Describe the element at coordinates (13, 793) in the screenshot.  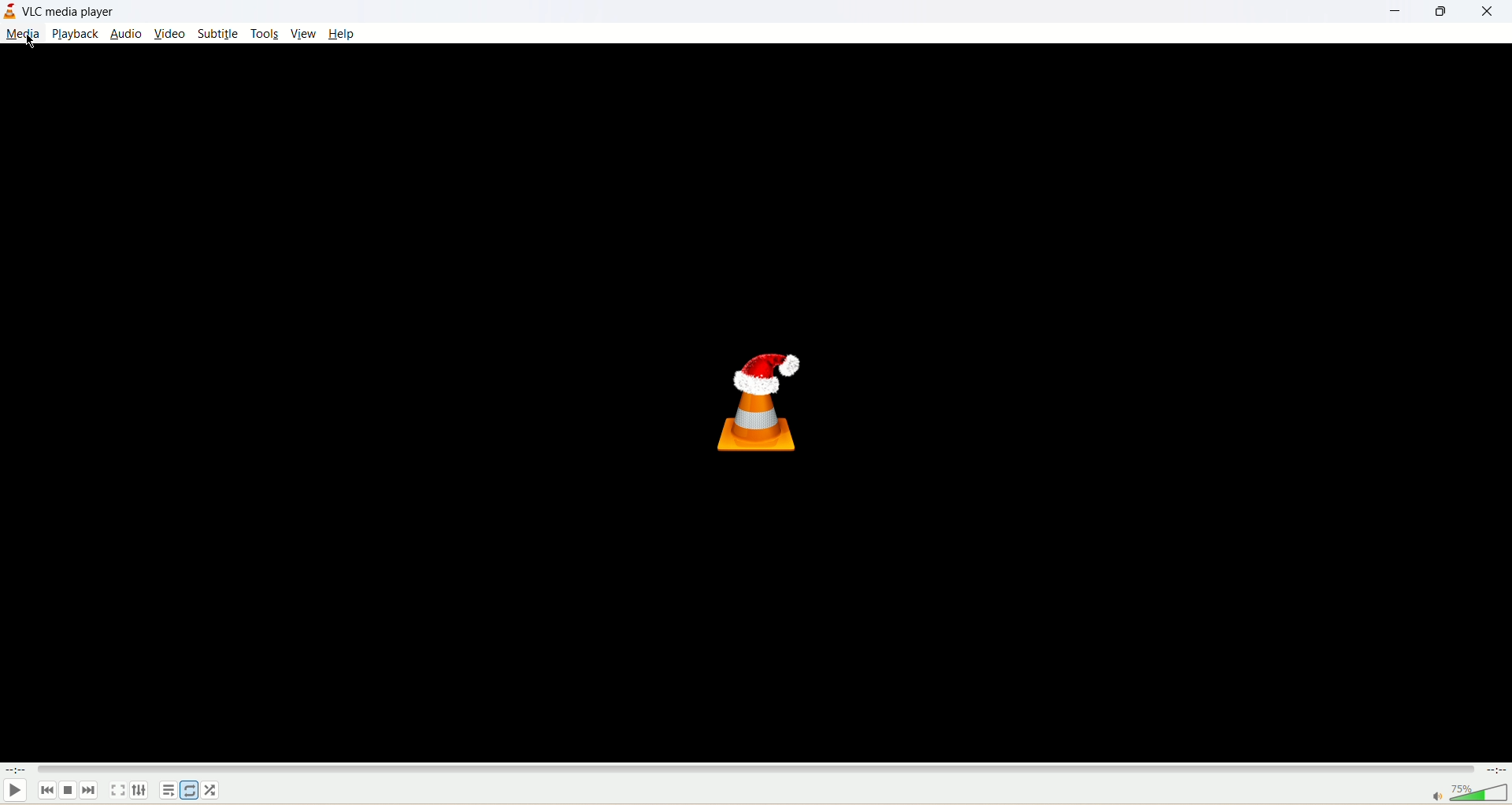
I see `play` at that location.